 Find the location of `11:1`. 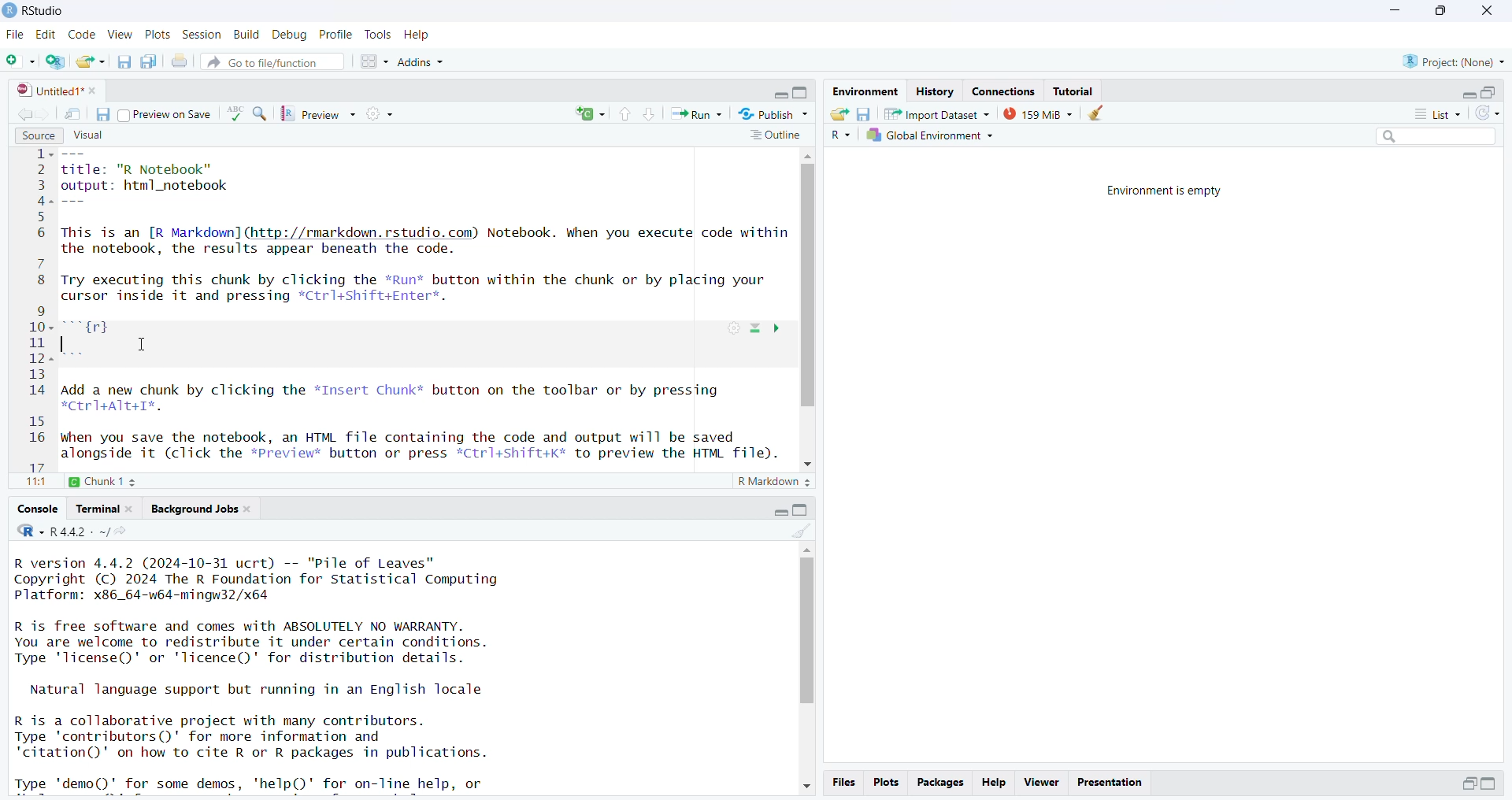

11:1 is located at coordinates (35, 483).